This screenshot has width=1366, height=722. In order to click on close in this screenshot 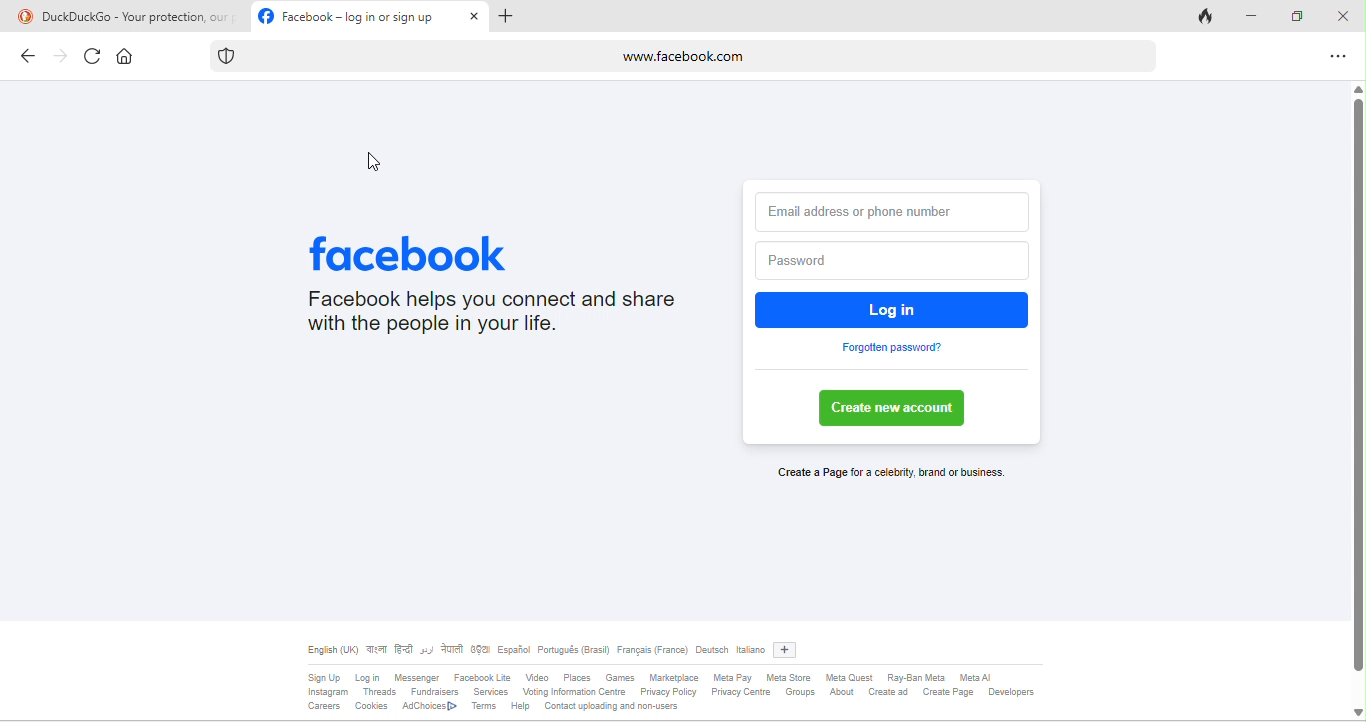, I will do `click(478, 15)`.